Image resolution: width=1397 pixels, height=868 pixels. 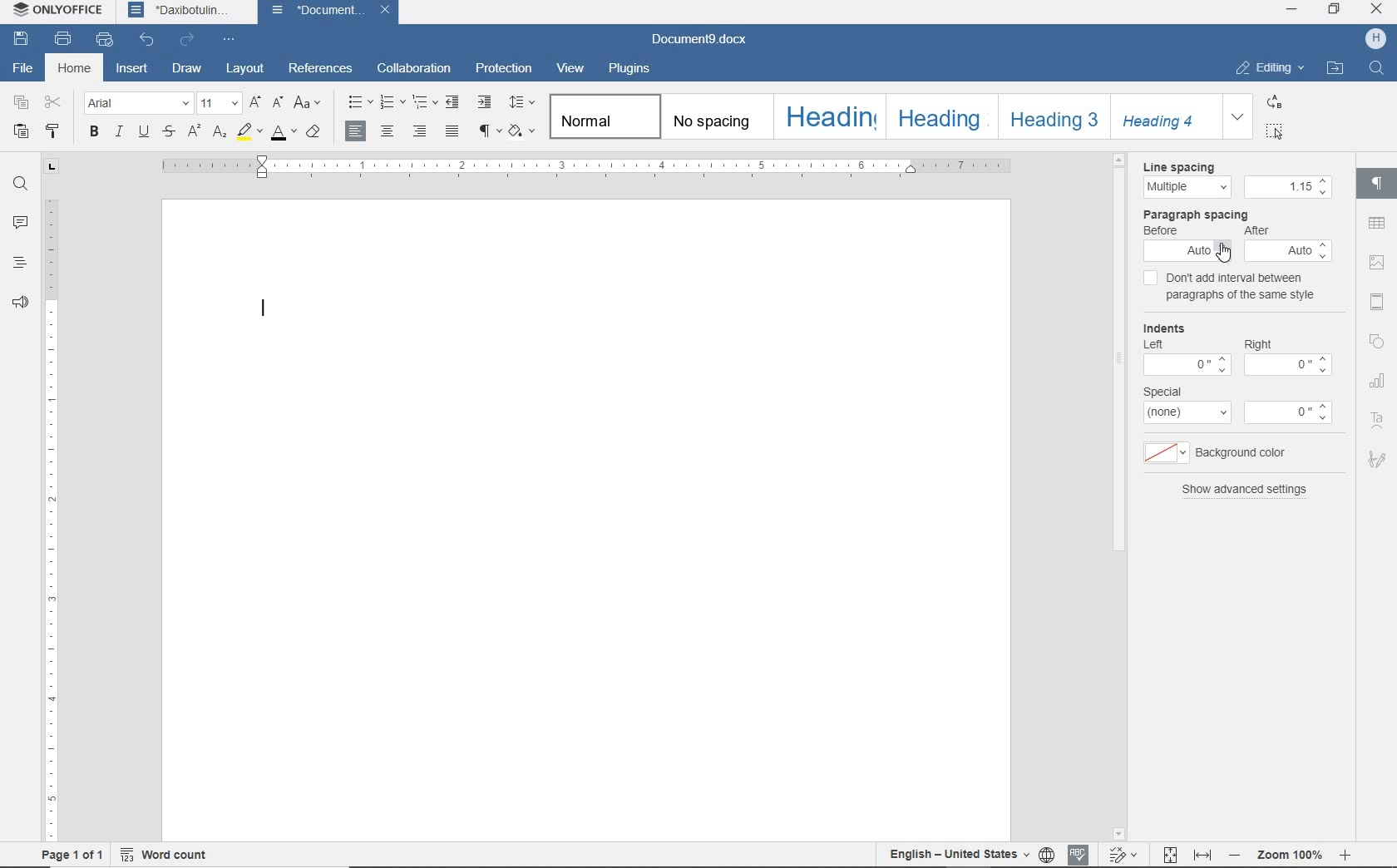 What do you see at coordinates (190, 70) in the screenshot?
I see `draw` at bounding box center [190, 70].